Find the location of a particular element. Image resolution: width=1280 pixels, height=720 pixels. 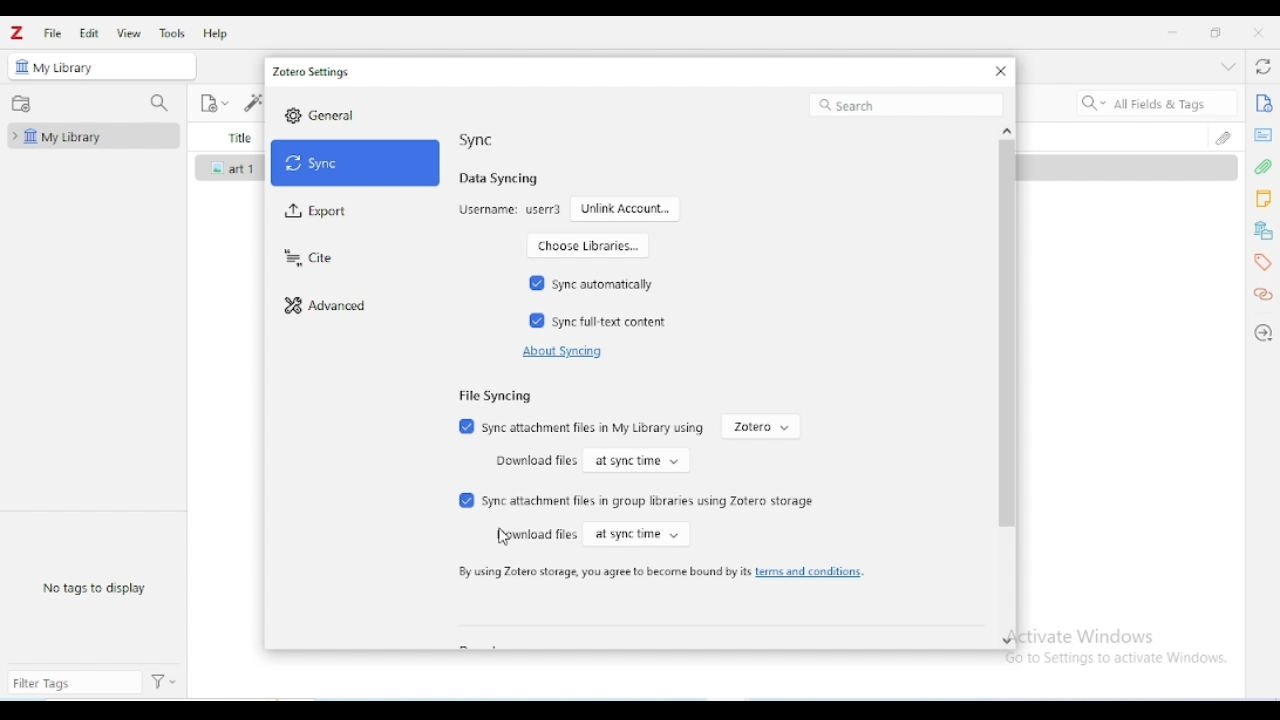

notes is located at coordinates (1264, 199).